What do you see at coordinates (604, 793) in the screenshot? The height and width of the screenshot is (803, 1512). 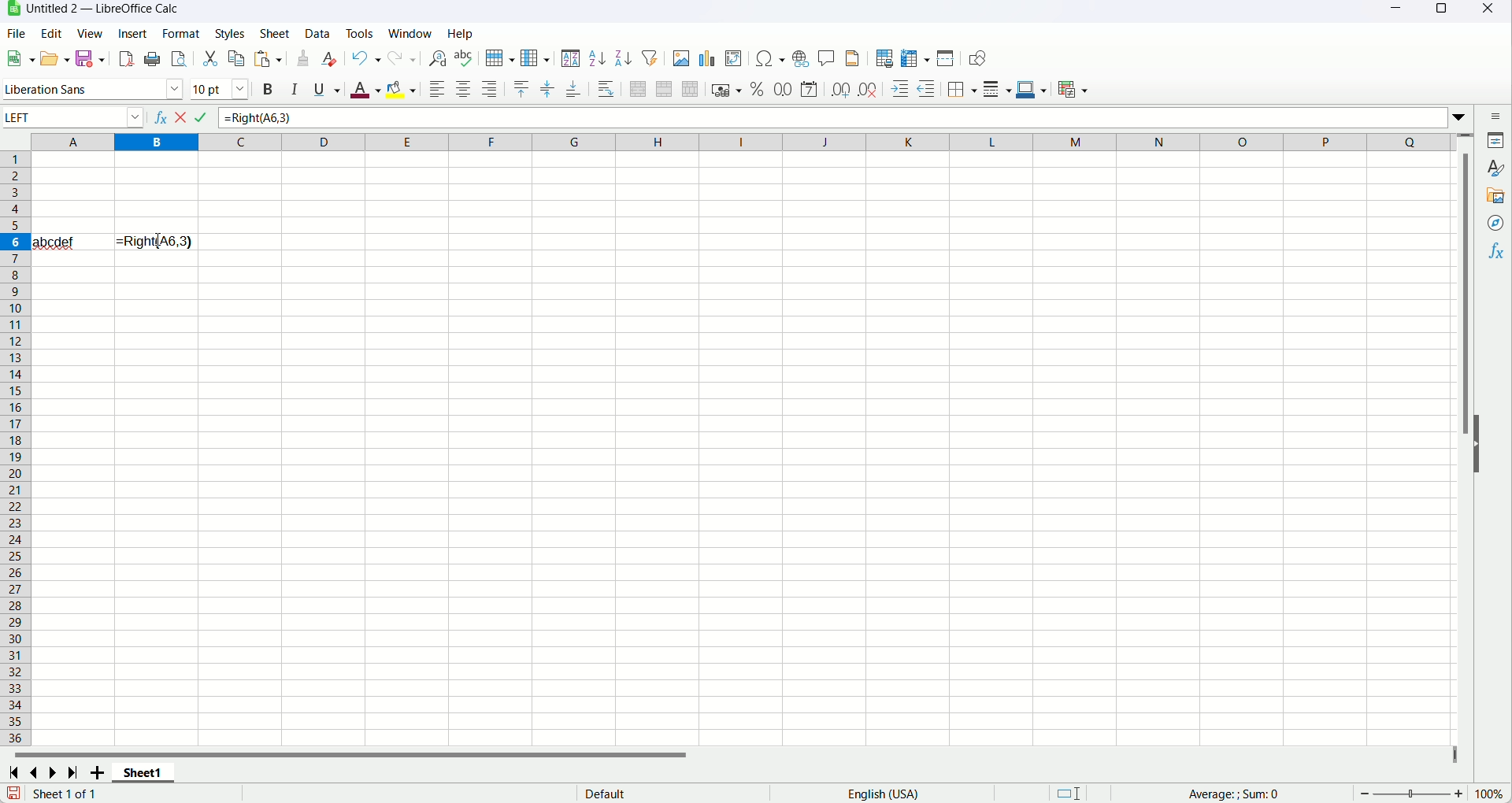 I see `default` at bounding box center [604, 793].